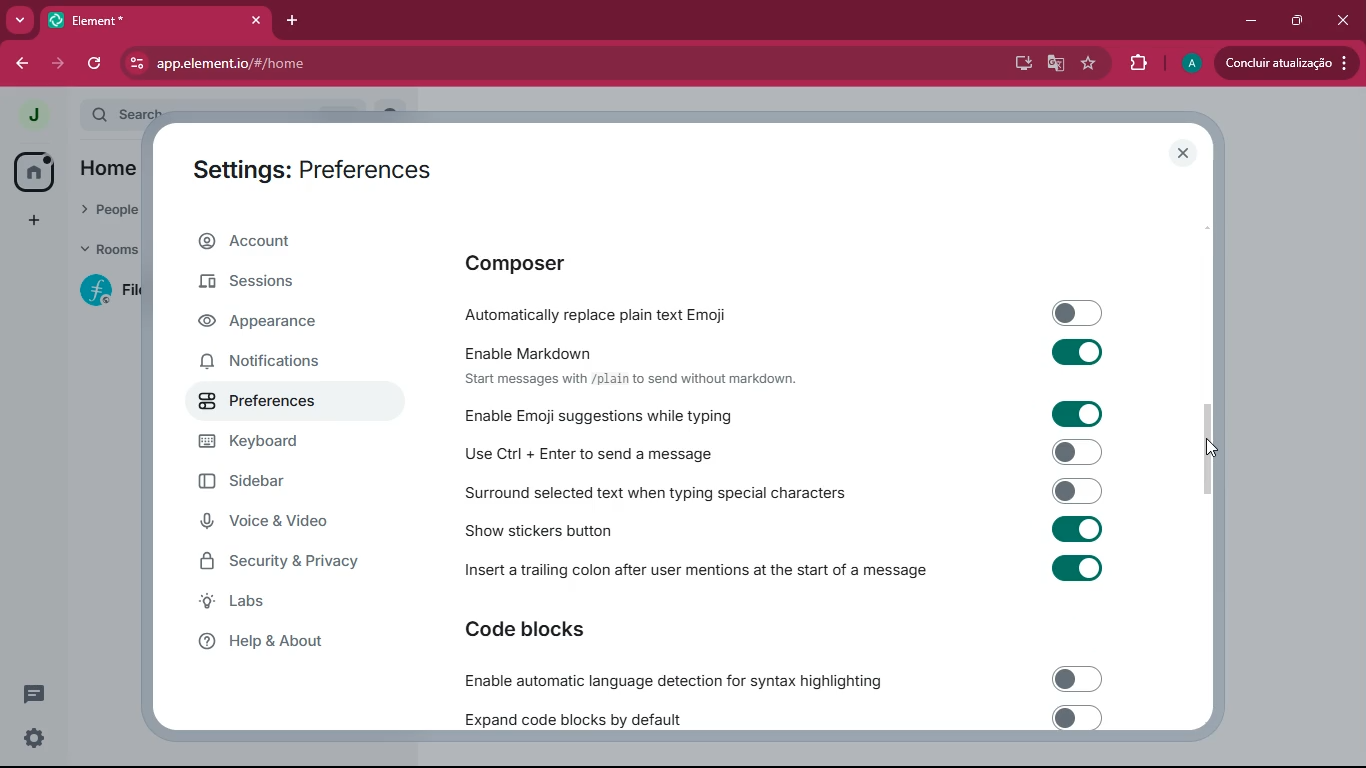  Describe the element at coordinates (775, 570) in the screenshot. I see `Insert a trailing colon after user mentions at the start of a message` at that location.